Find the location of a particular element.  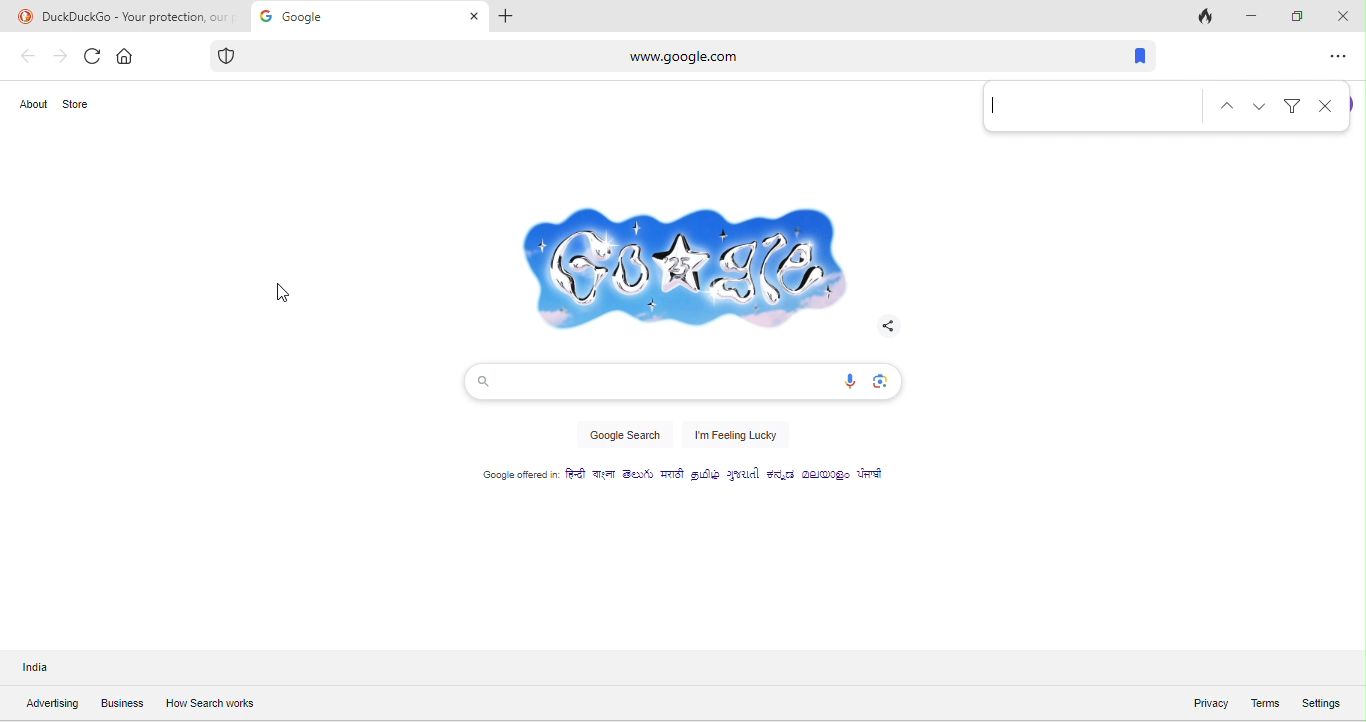

India is located at coordinates (43, 668).